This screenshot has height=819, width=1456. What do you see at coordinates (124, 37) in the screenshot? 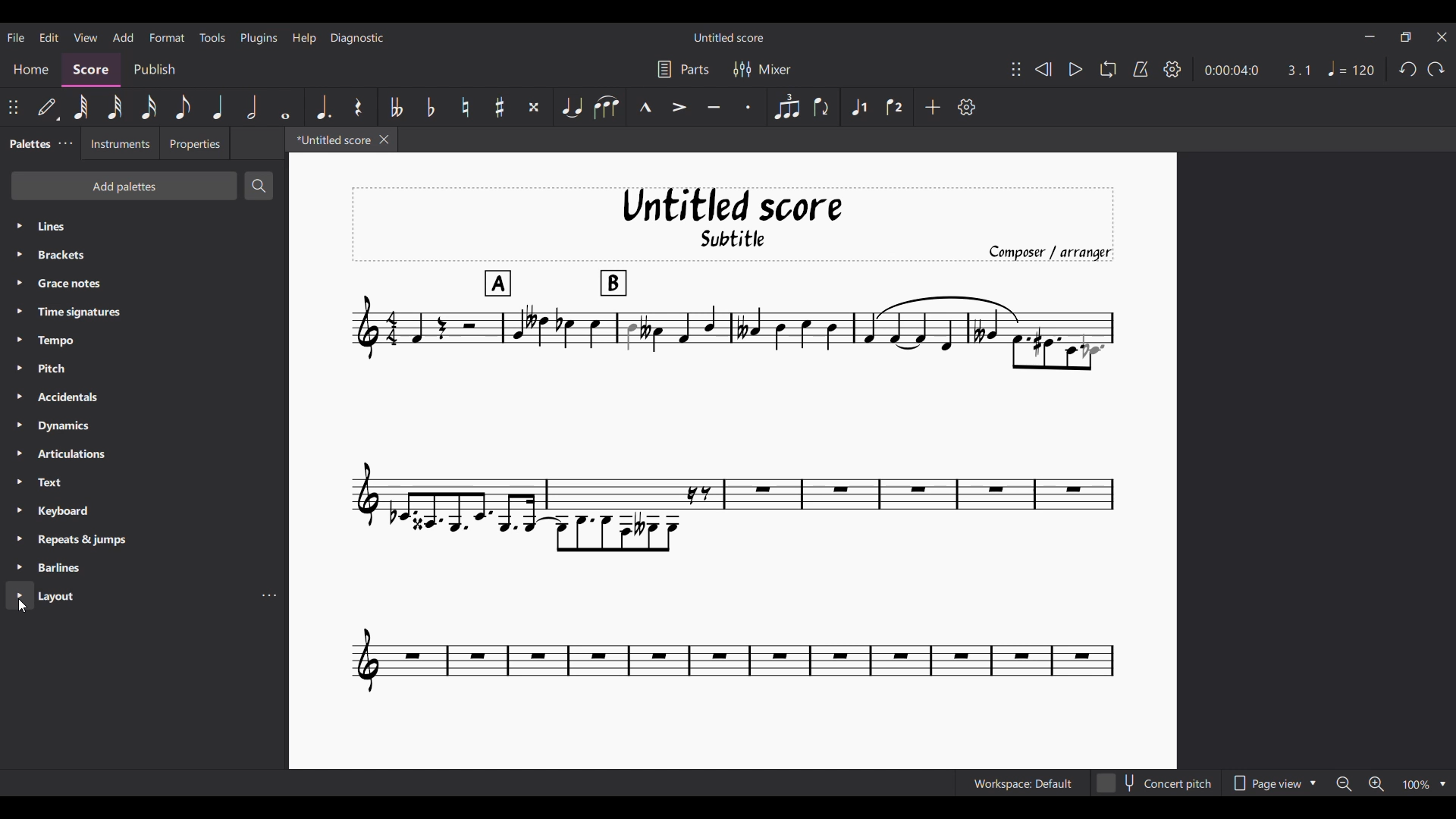
I see `Add menu` at bounding box center [124, 37].